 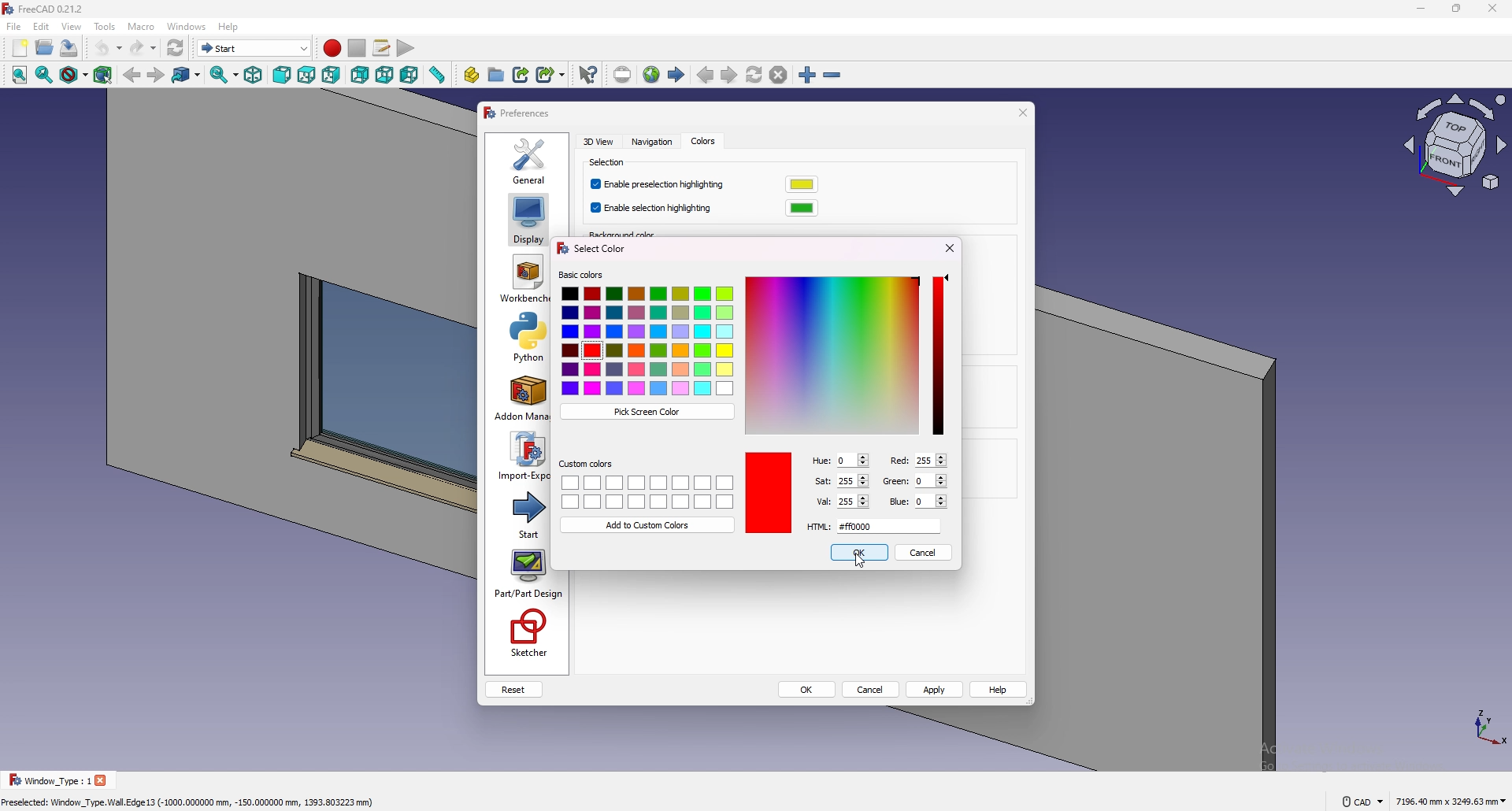 I want to click on general, so click(x=530, y=160).